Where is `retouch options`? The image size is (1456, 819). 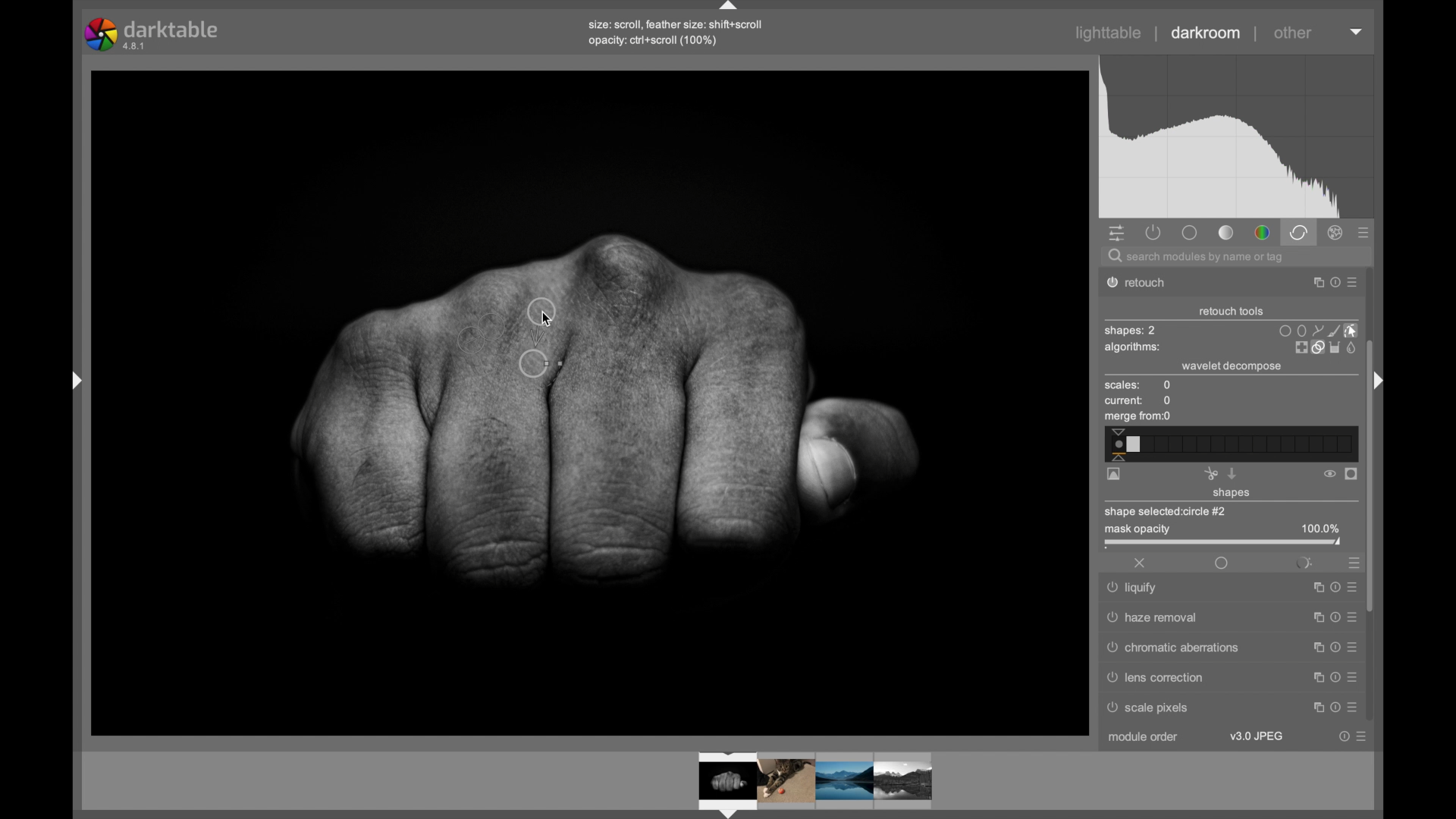
retouch options is located at coordinates (1324, 348).